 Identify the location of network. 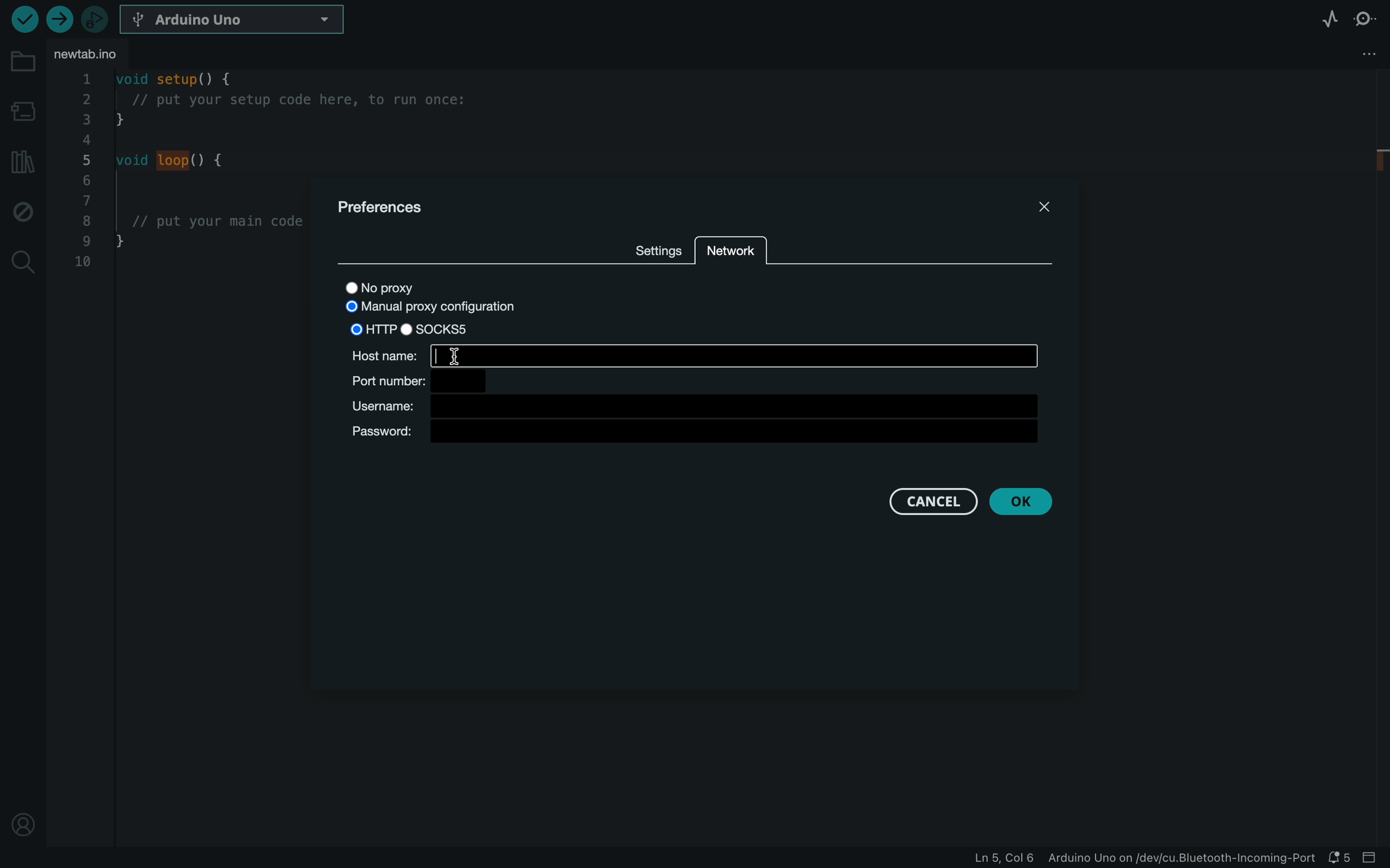
(731, 259).